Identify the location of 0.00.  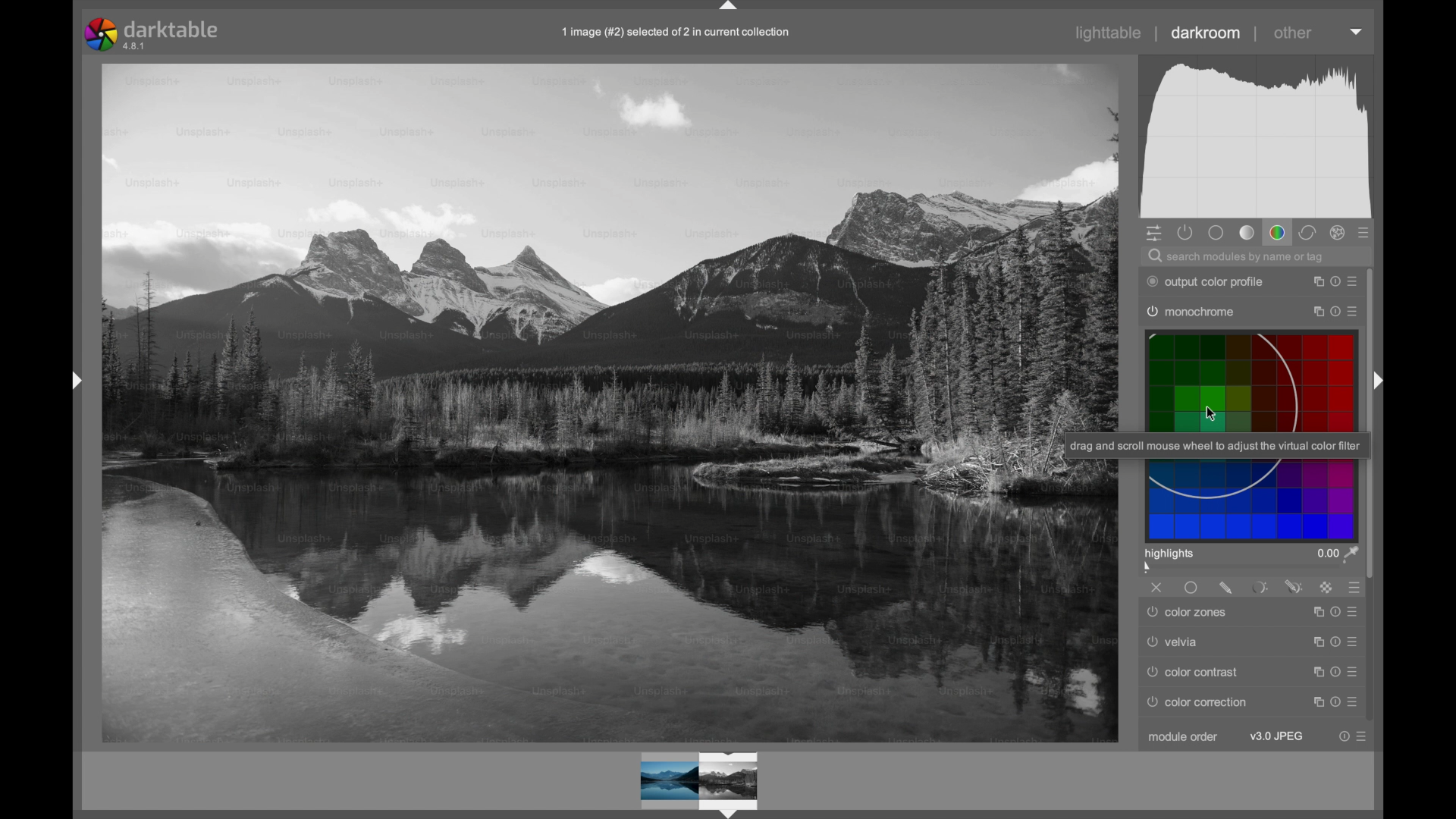
(1337, 552).